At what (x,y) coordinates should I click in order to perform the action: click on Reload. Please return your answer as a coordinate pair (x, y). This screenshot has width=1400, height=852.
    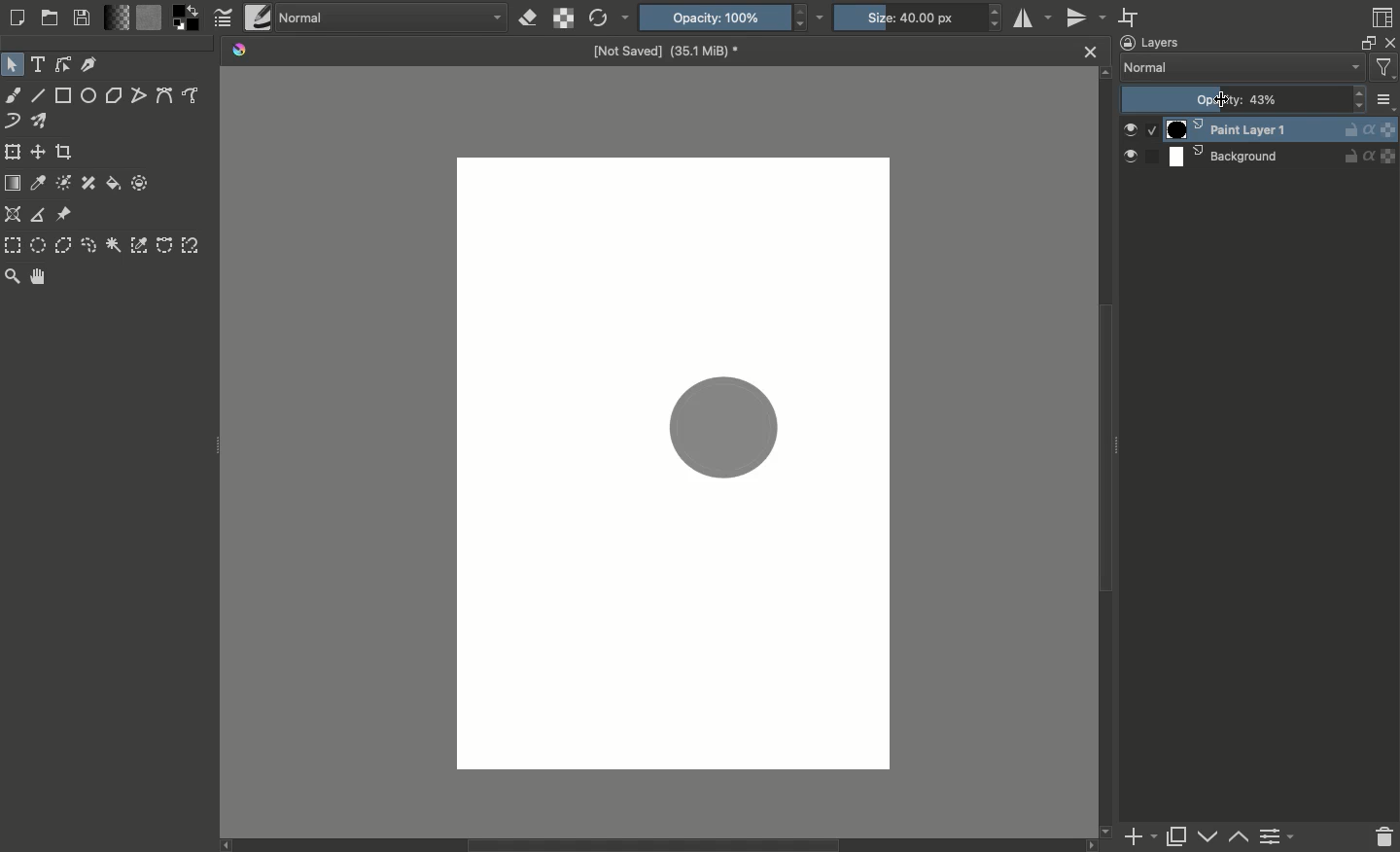
    Looking at the image, I should click on (609, 18).